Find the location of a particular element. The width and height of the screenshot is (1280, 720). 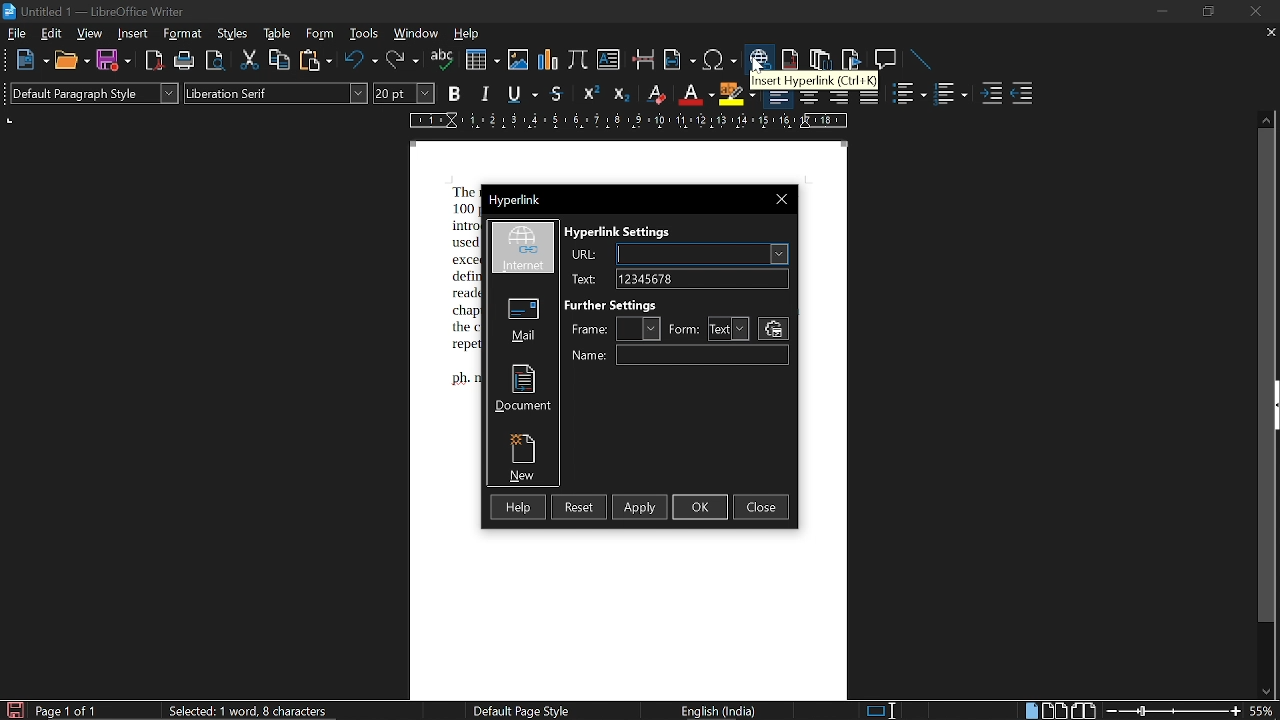

standard selection is located at coordinates (880, 709).